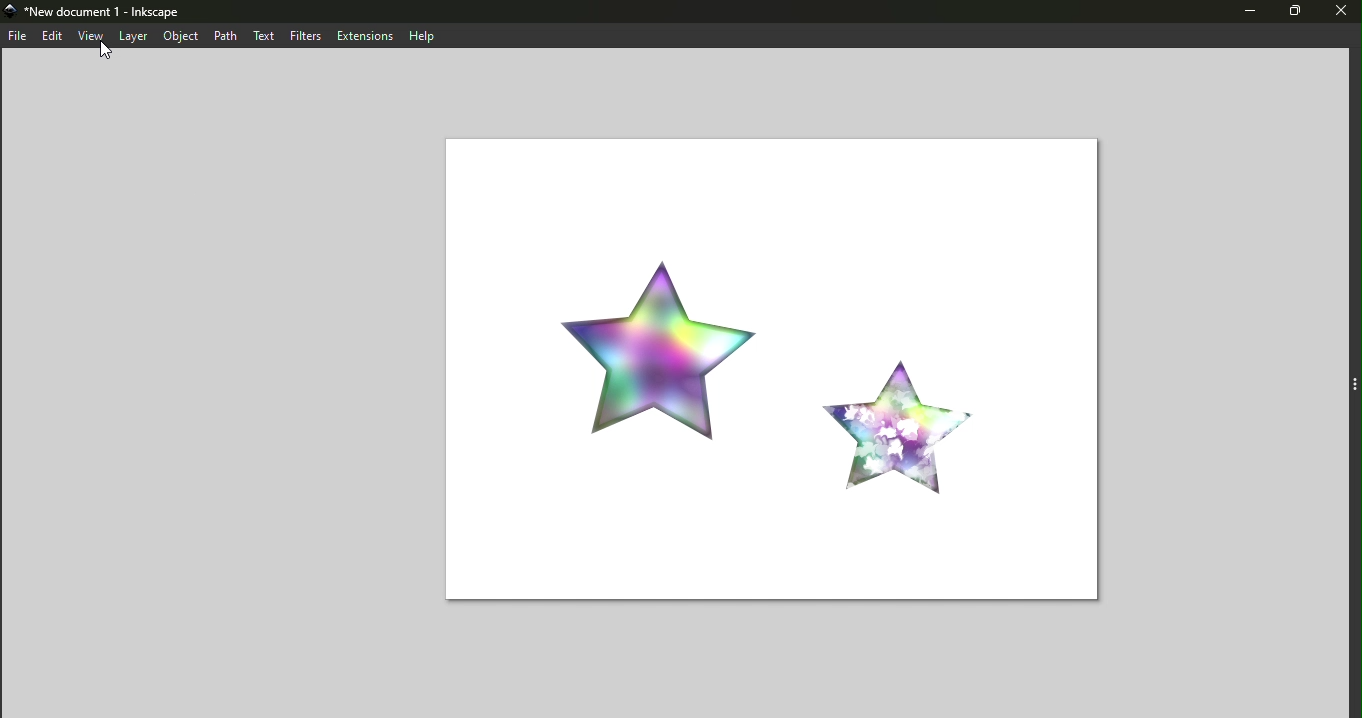 This screenshot has width=1362, height=718. Describe the element at coordinates (55, 36) in the screenshot. I see `Edit` at that location.